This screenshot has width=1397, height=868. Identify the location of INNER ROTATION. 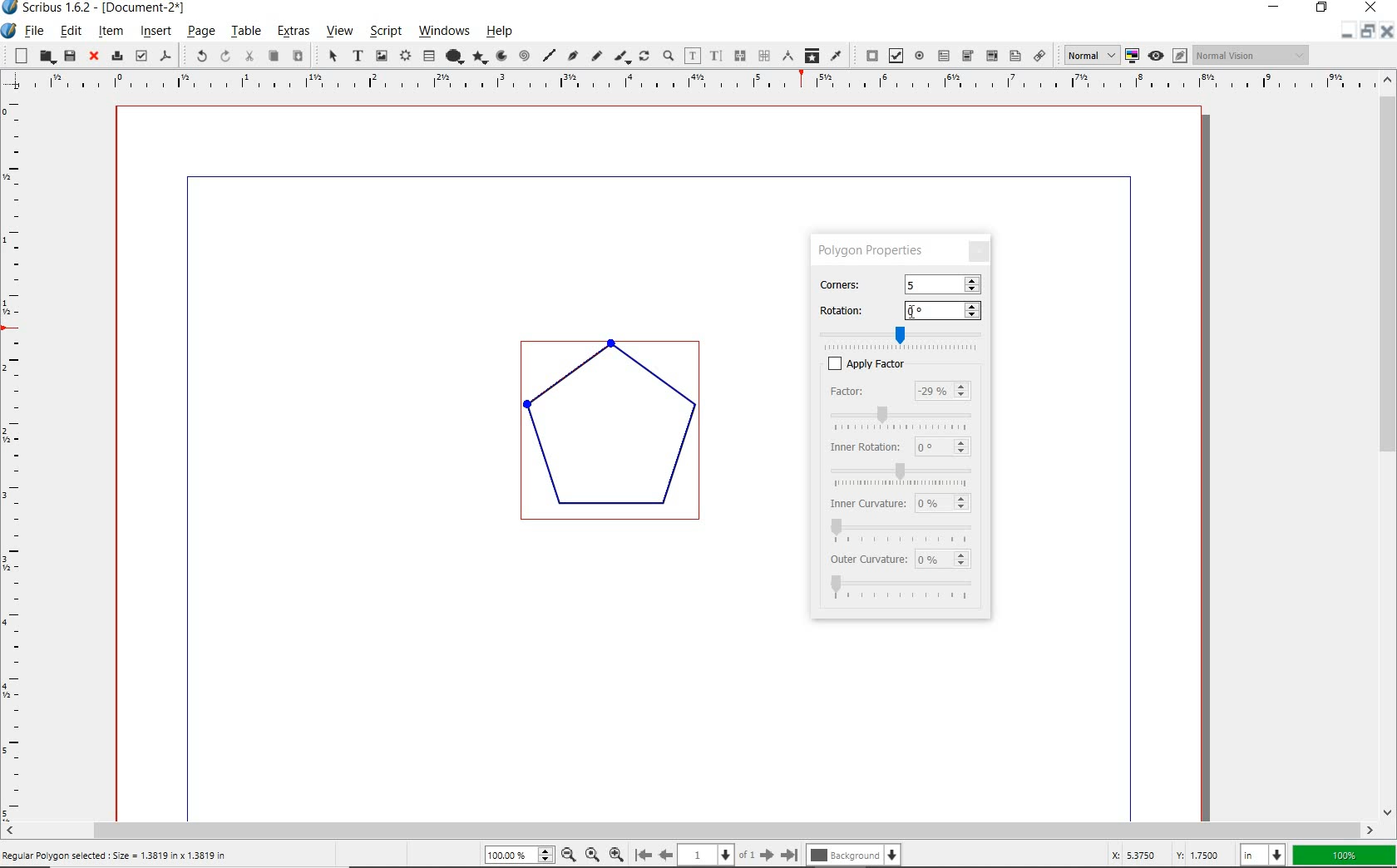
(863, 446).